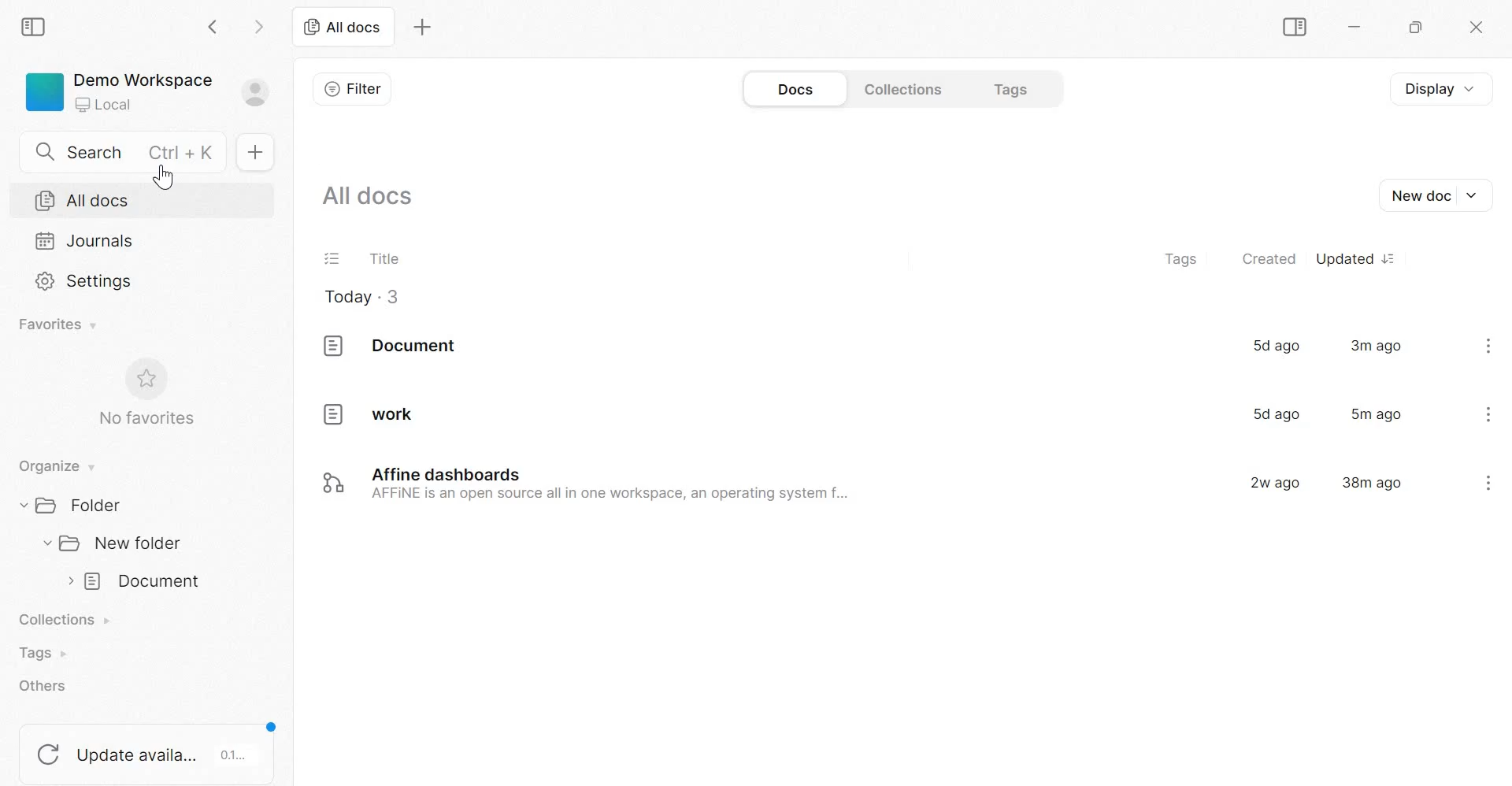  I want to click on task list, so click(333, 260).